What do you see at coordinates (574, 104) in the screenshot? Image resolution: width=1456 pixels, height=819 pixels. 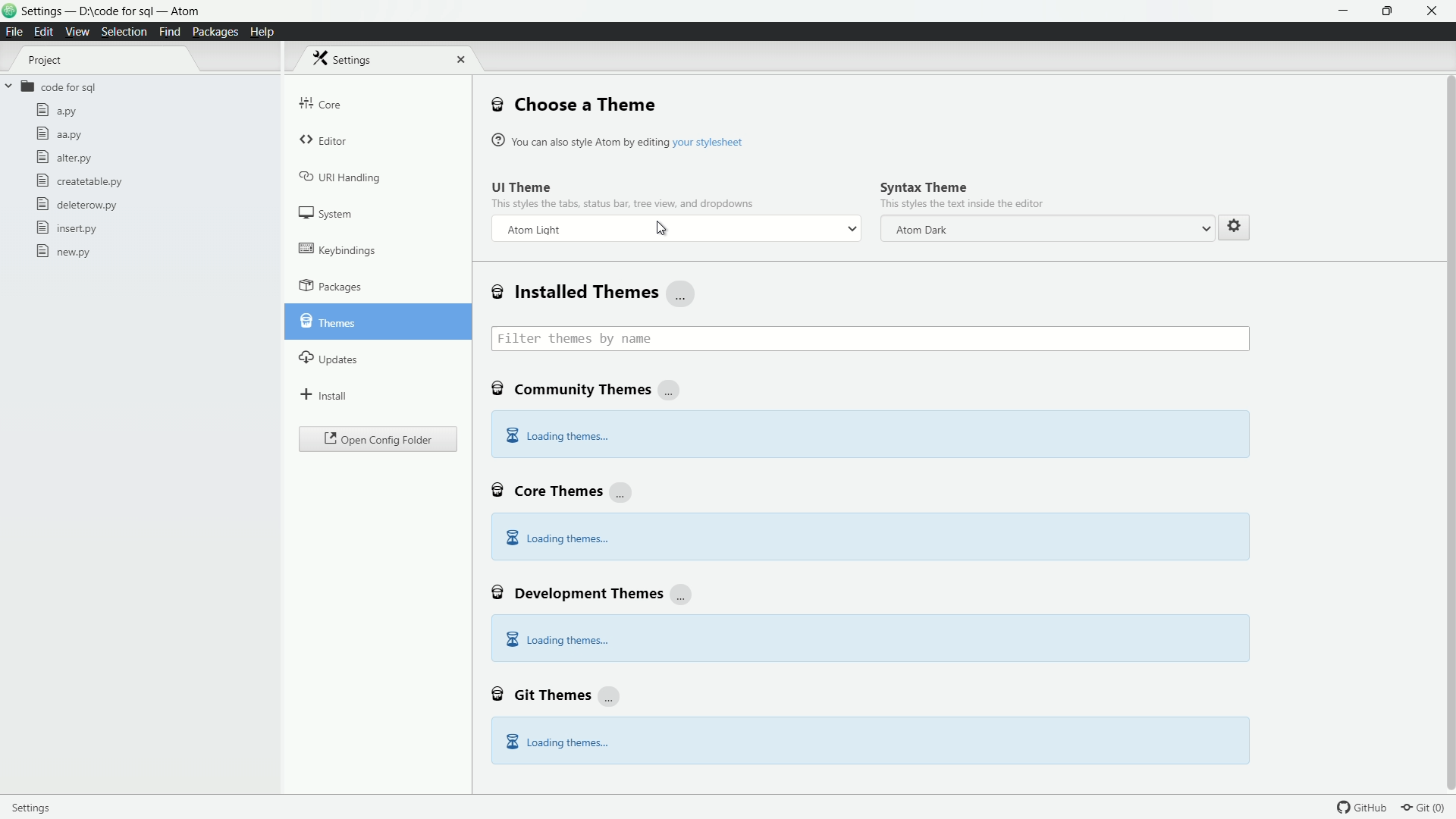 I see `choose a theme` at bounding box center [574, 104].